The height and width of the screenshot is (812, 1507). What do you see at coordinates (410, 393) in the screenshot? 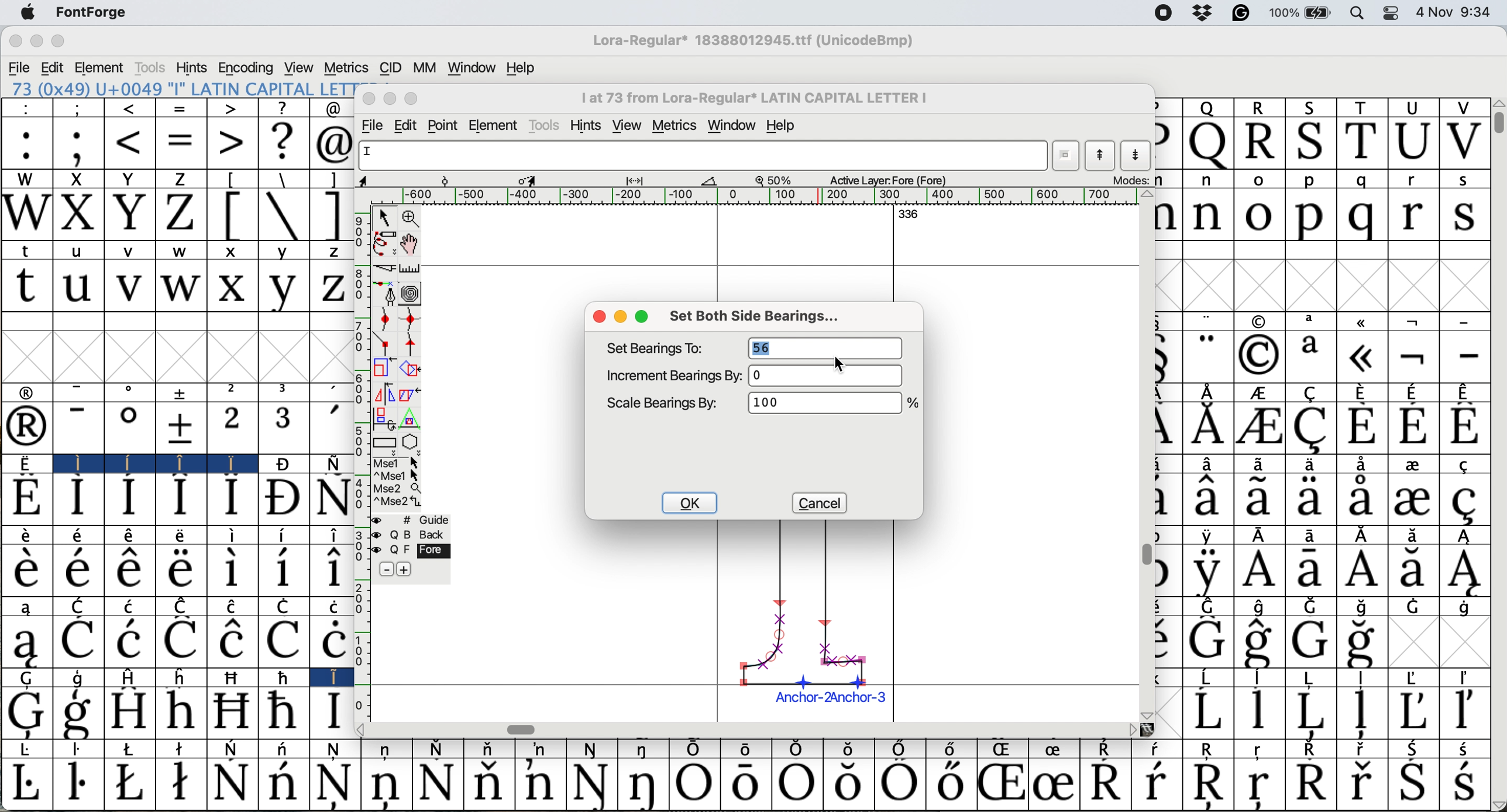
I see `skew the selection` at bounding box center [410, 393].